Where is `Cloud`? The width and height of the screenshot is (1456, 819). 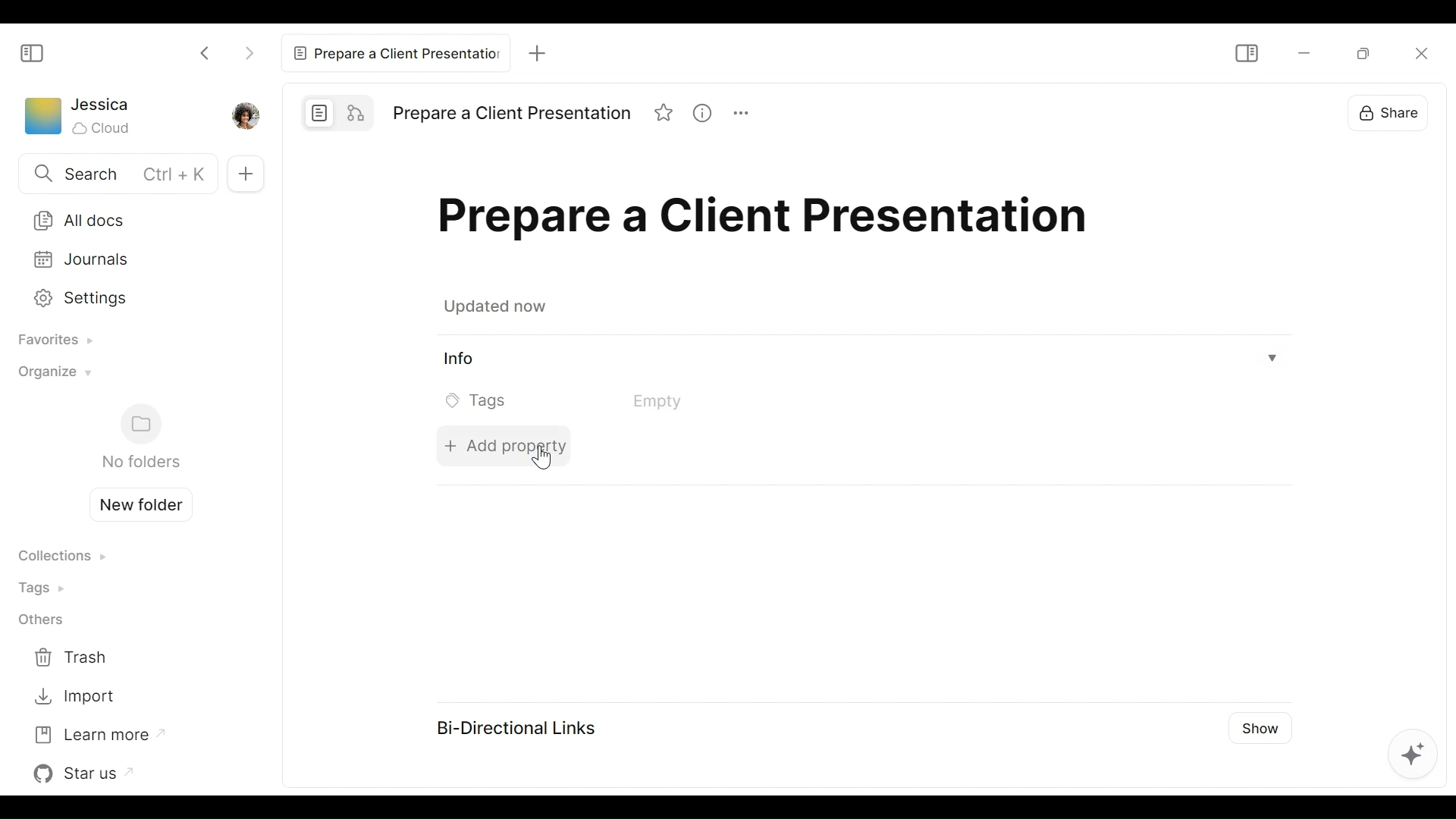
Cloud is located at coordinates (103, 128).